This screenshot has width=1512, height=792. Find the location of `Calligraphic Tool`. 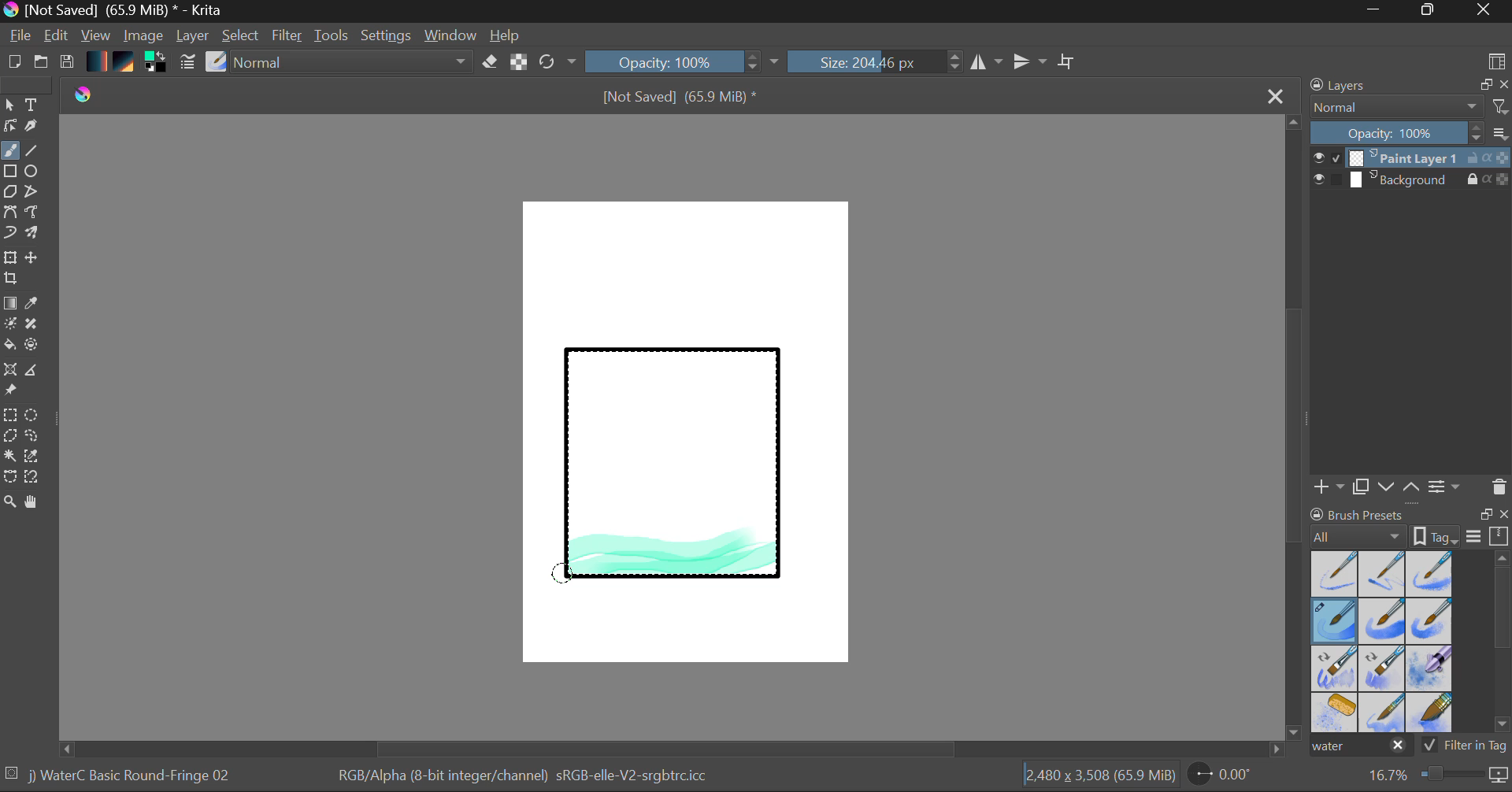

Calligraphic Tool is located at coordinates (37, 129).